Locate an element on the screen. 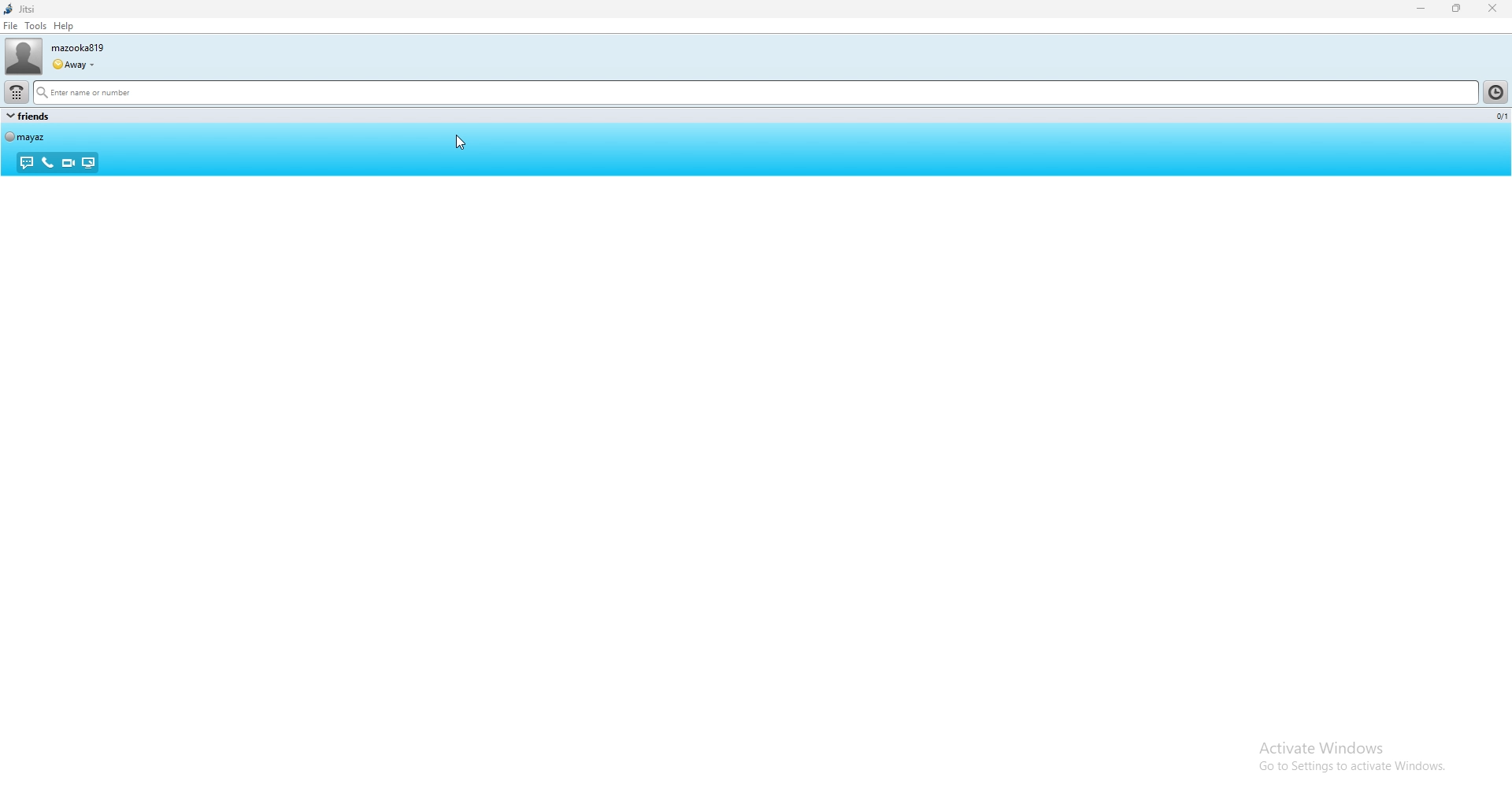  dialpad is located at coordinates (16, 91).